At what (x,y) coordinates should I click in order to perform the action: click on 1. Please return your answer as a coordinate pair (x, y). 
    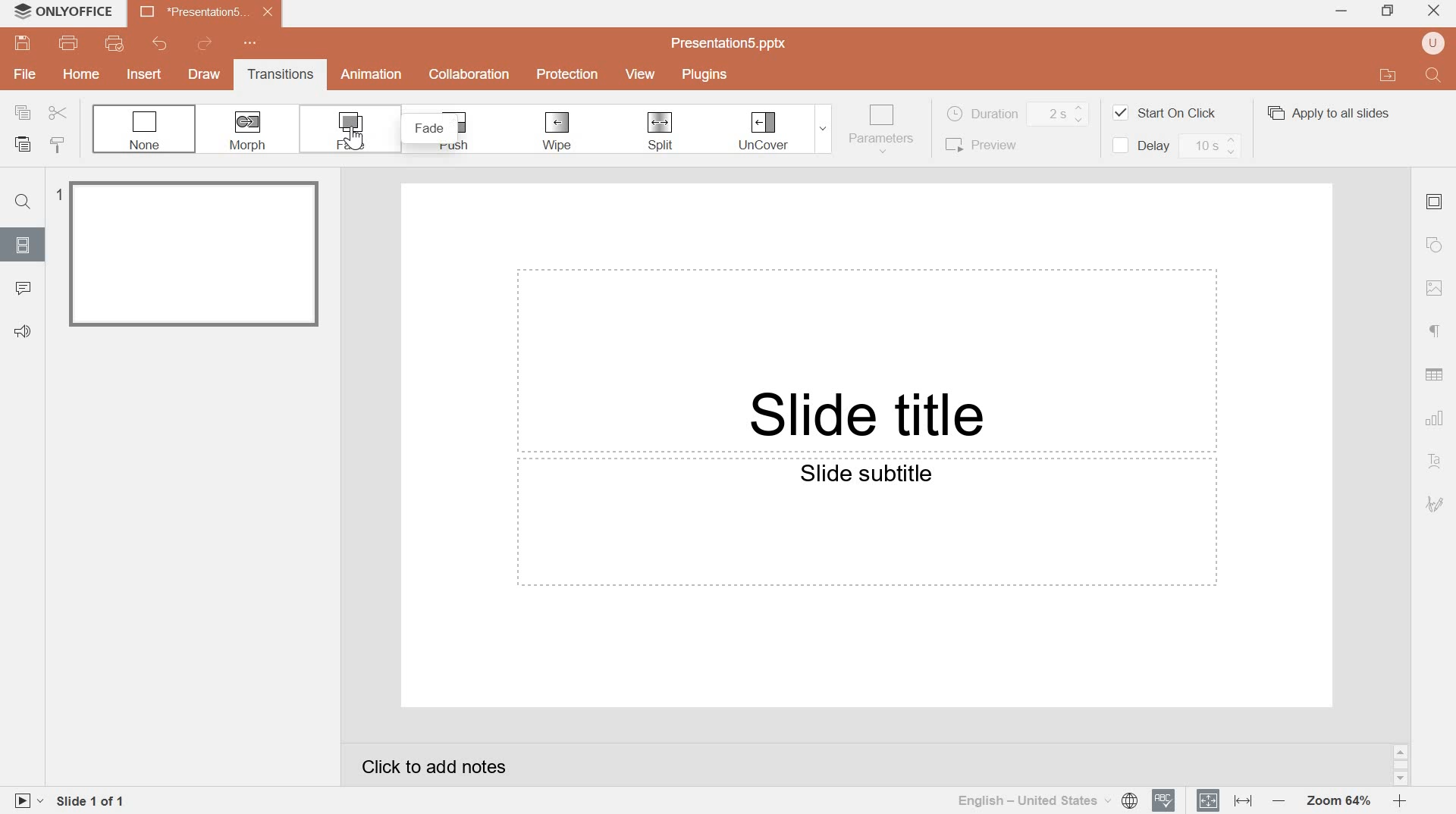
    Looking at the image, I should click on (58, 193).